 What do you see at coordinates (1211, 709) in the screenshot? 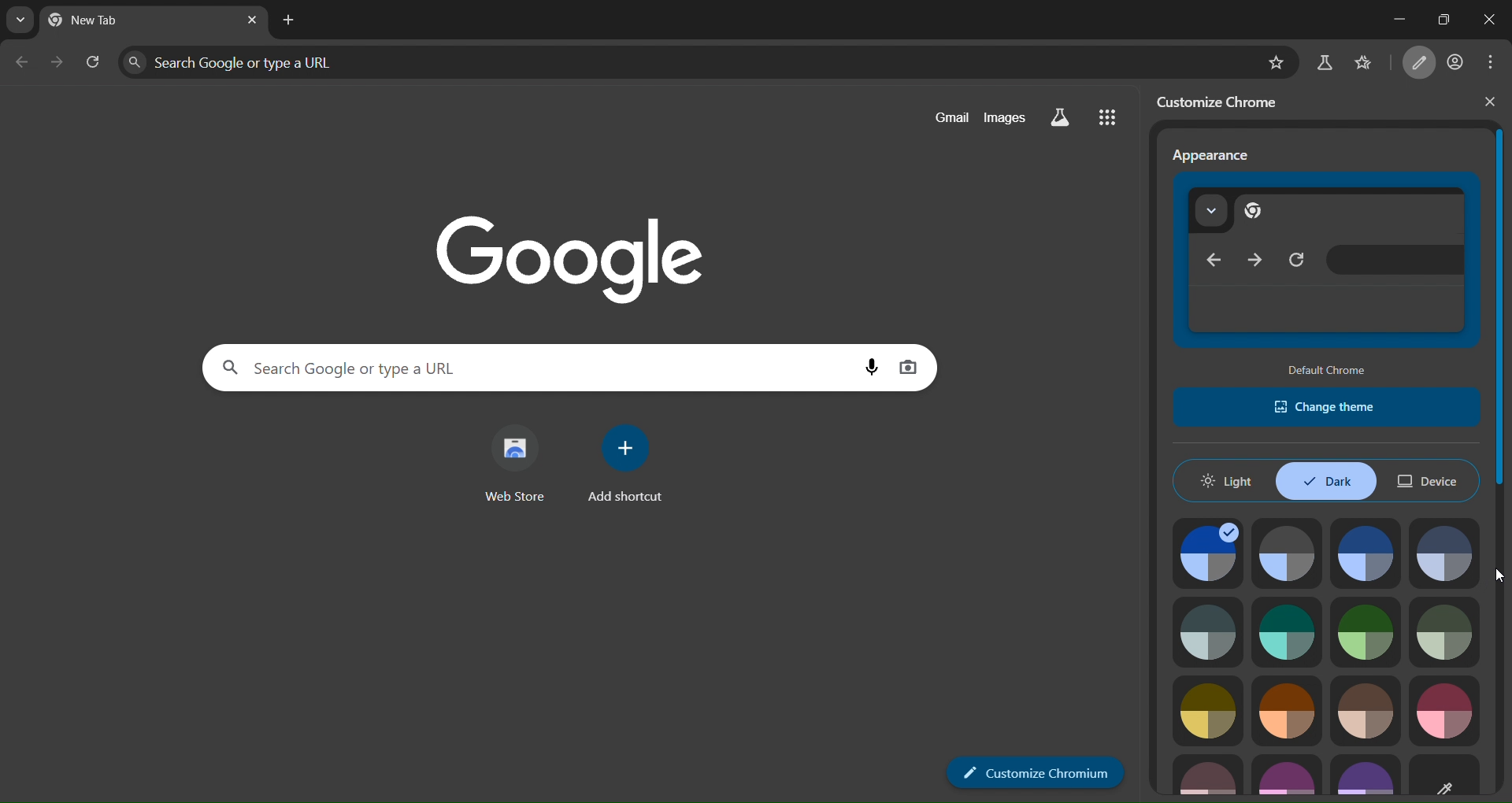
I see `image` at bounding box center [1211, 709].